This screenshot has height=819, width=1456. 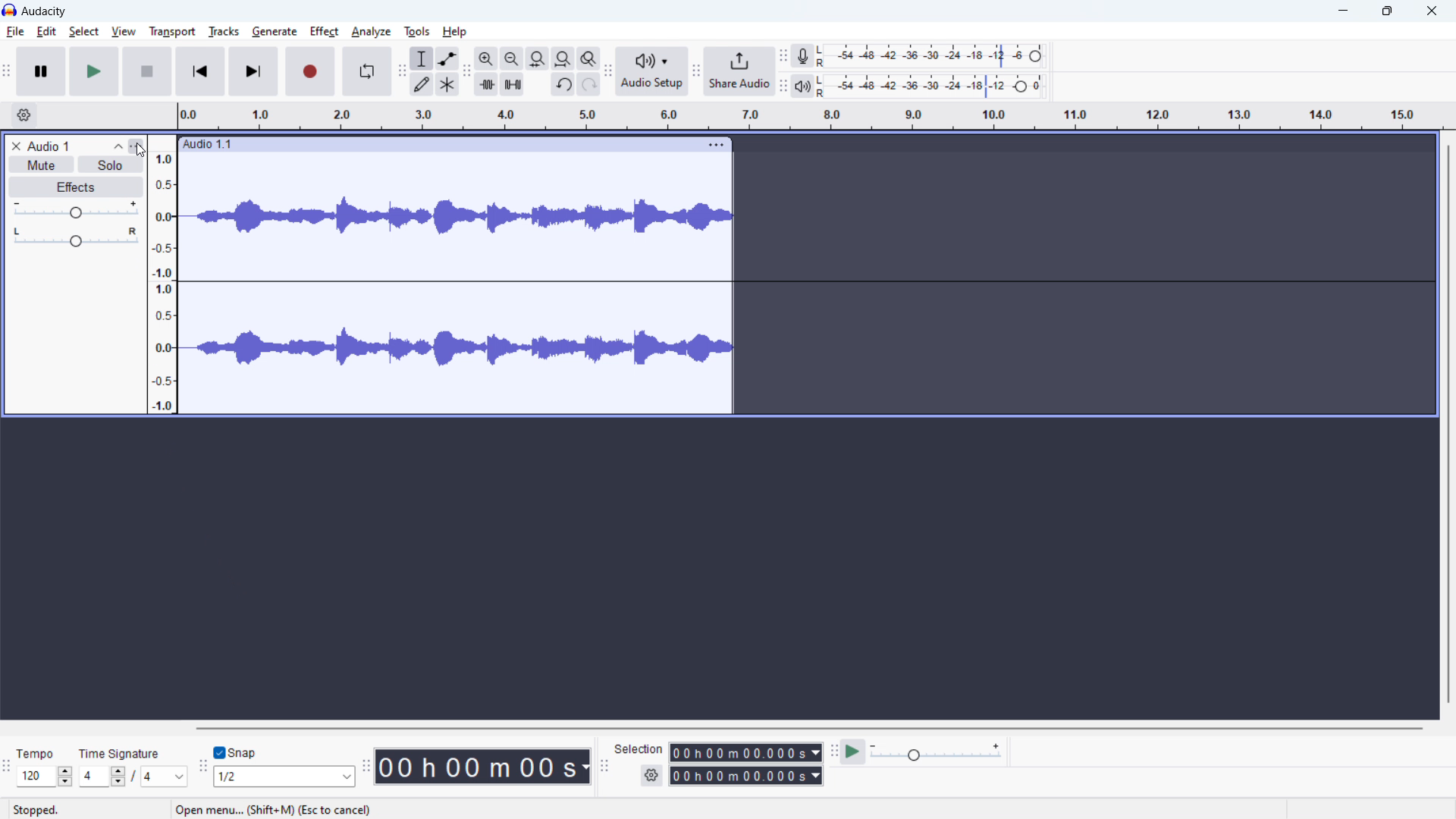 I want to click on snapping toolba, so click(x=201, y=767).